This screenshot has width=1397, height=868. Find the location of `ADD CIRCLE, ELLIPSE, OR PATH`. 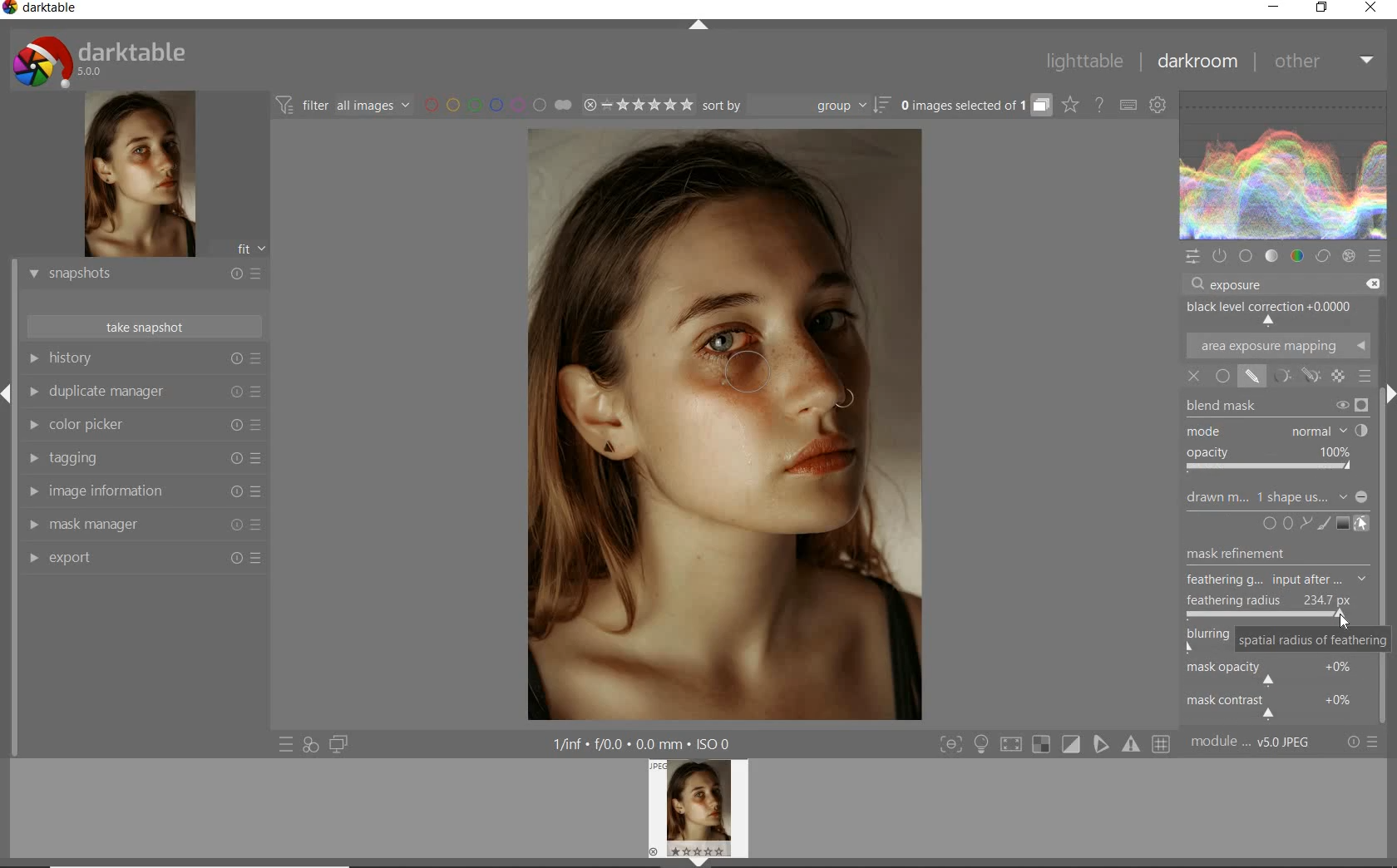

ADD CIRCLE, ELLIPSE, OR PATH is located at coordinates (1285, 525).